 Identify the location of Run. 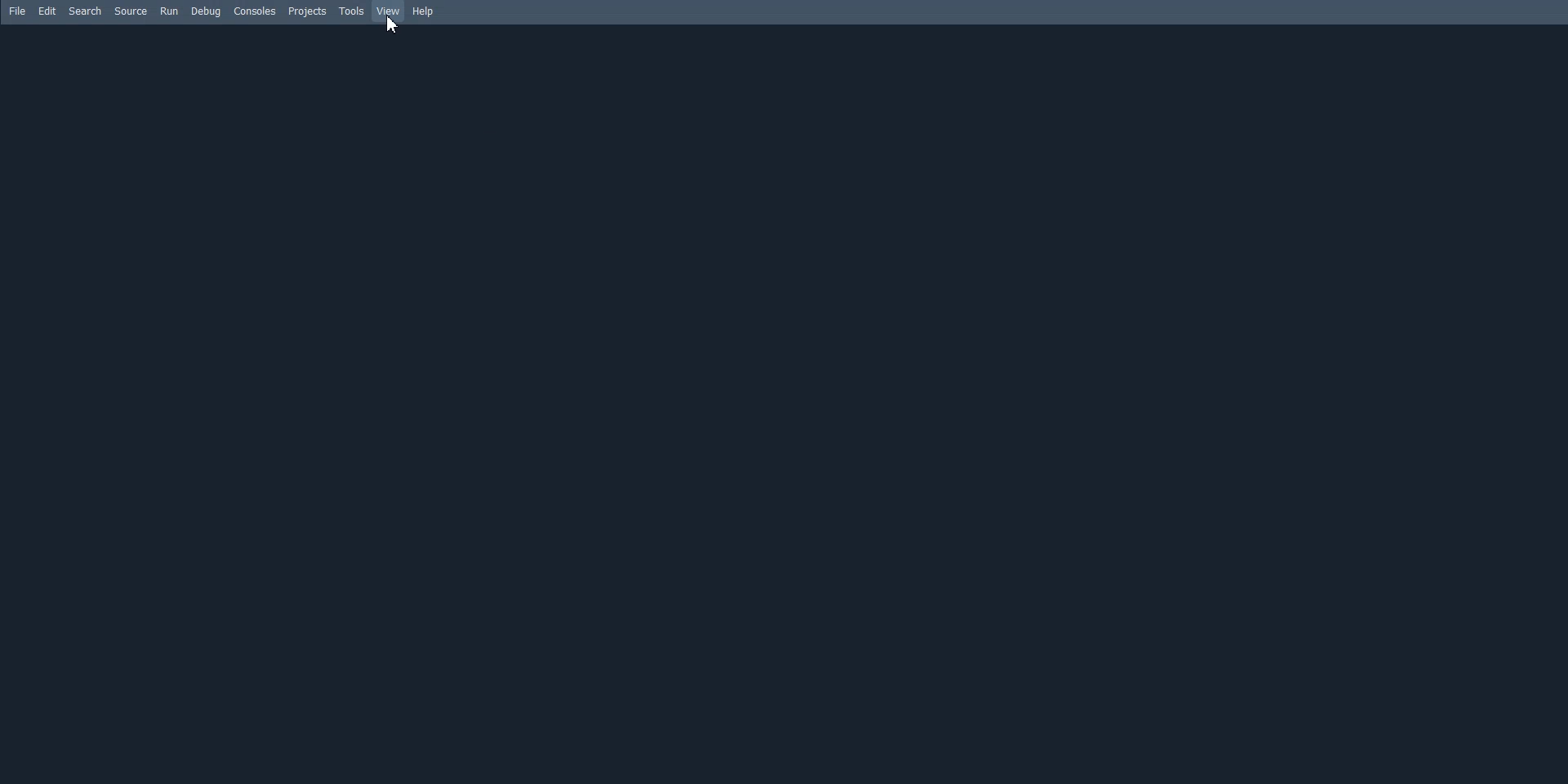
(168, 11).